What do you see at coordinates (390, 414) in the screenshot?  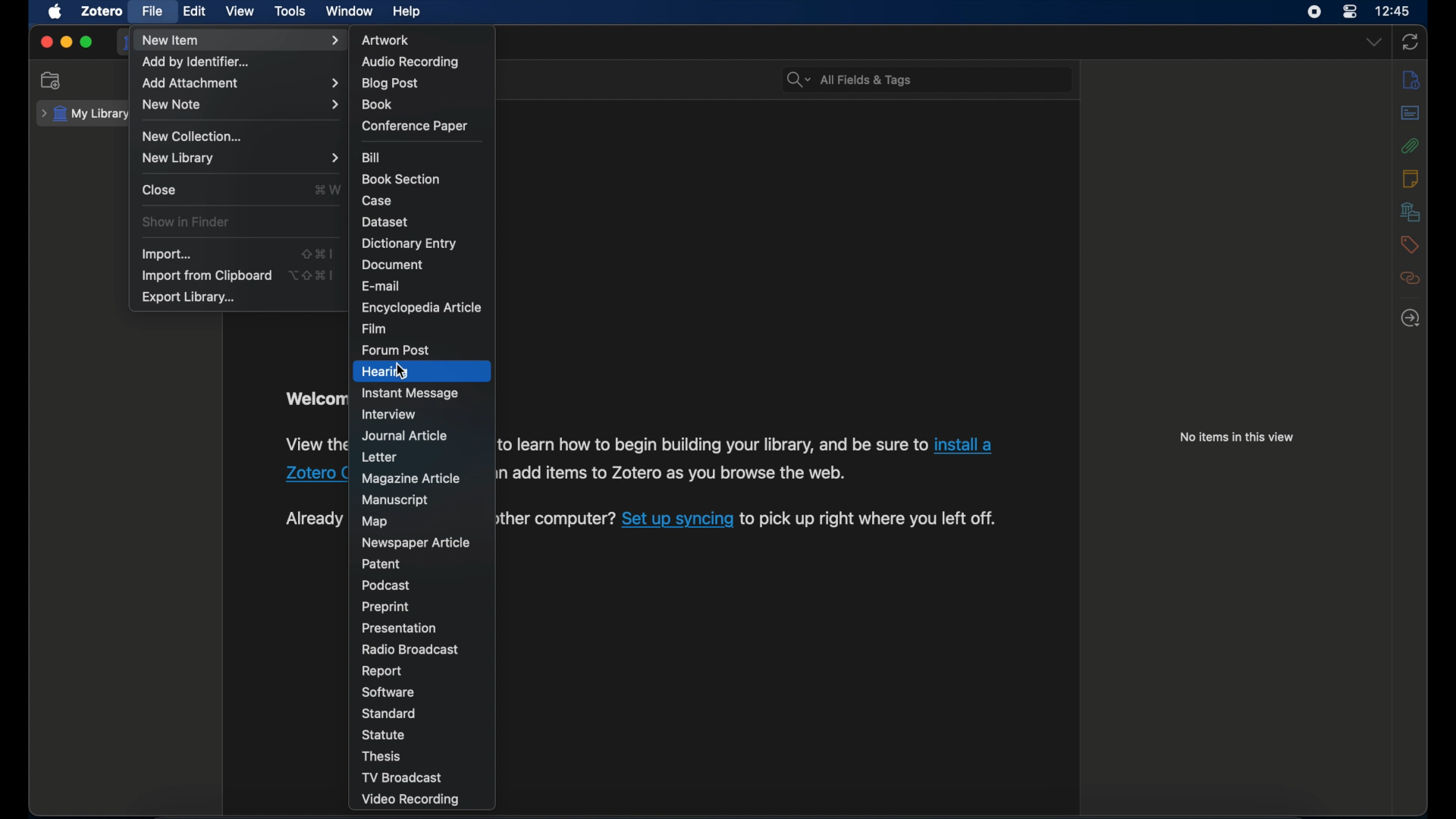 I see `interview` at bounding box center [390, 414].